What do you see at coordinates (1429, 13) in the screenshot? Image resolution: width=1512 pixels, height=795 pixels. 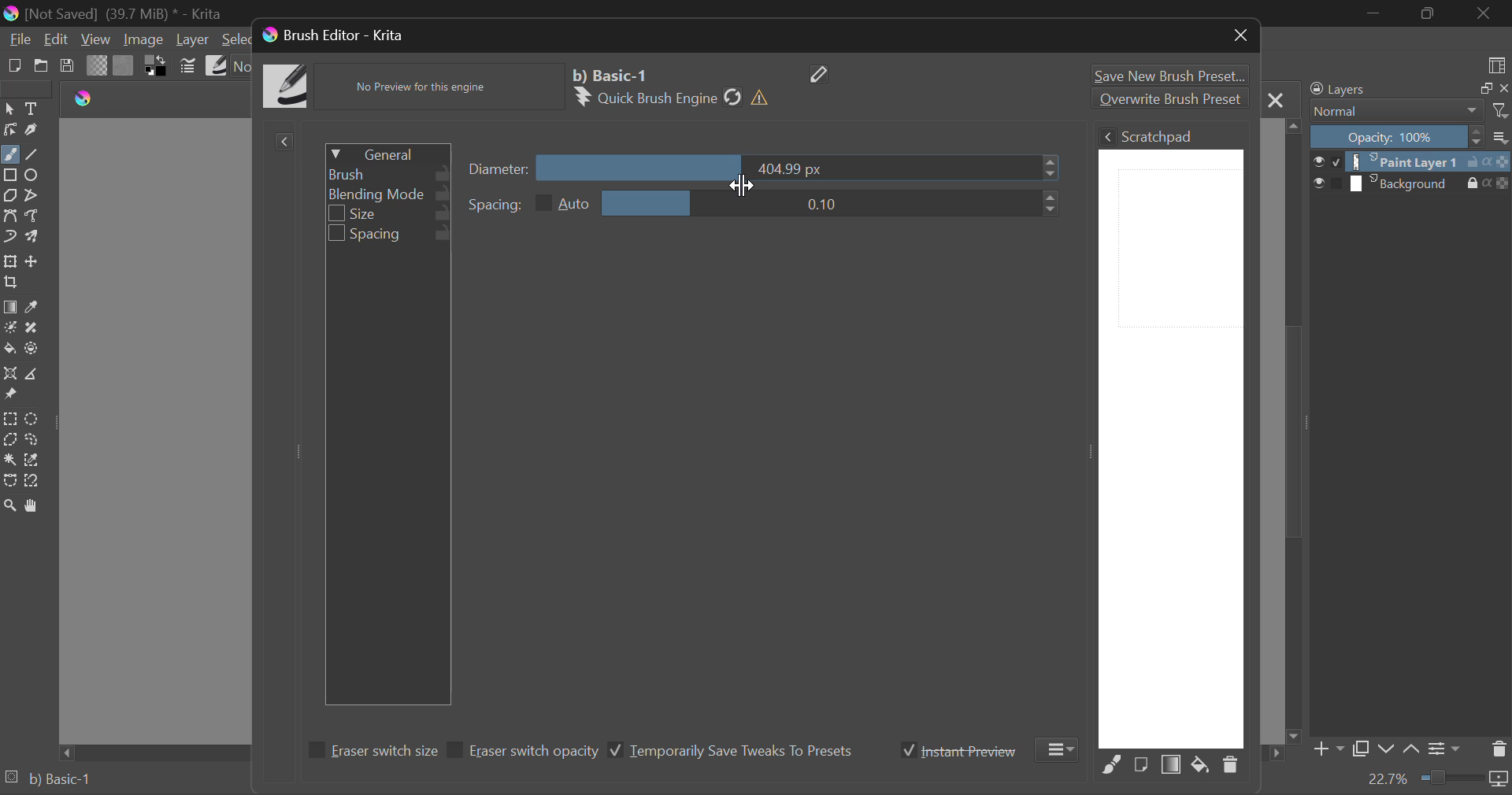 I see `Minimize` at bounding box center [1429, 13].